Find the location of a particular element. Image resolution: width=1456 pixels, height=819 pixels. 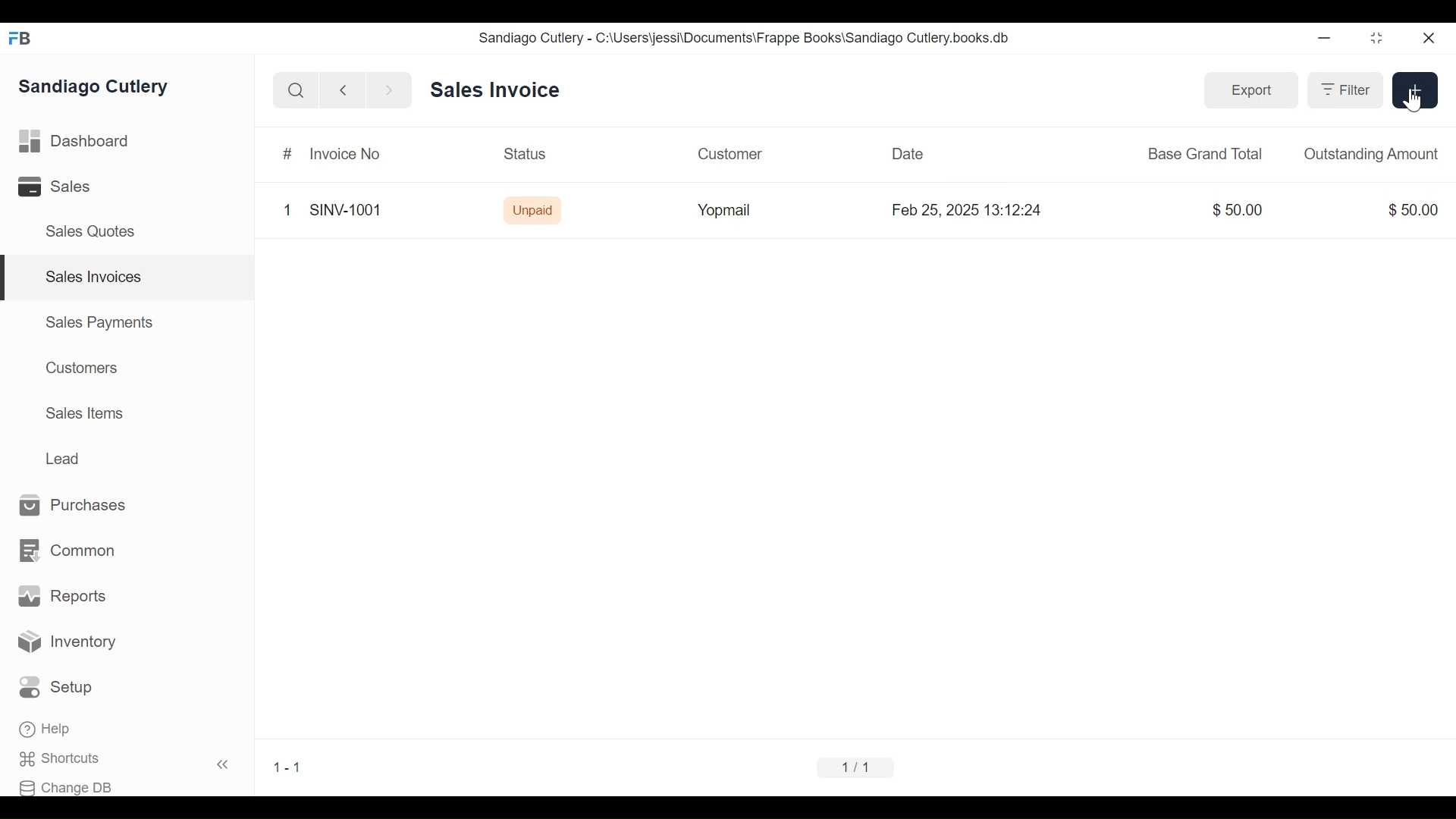

search is located at coordinates (297, 92).